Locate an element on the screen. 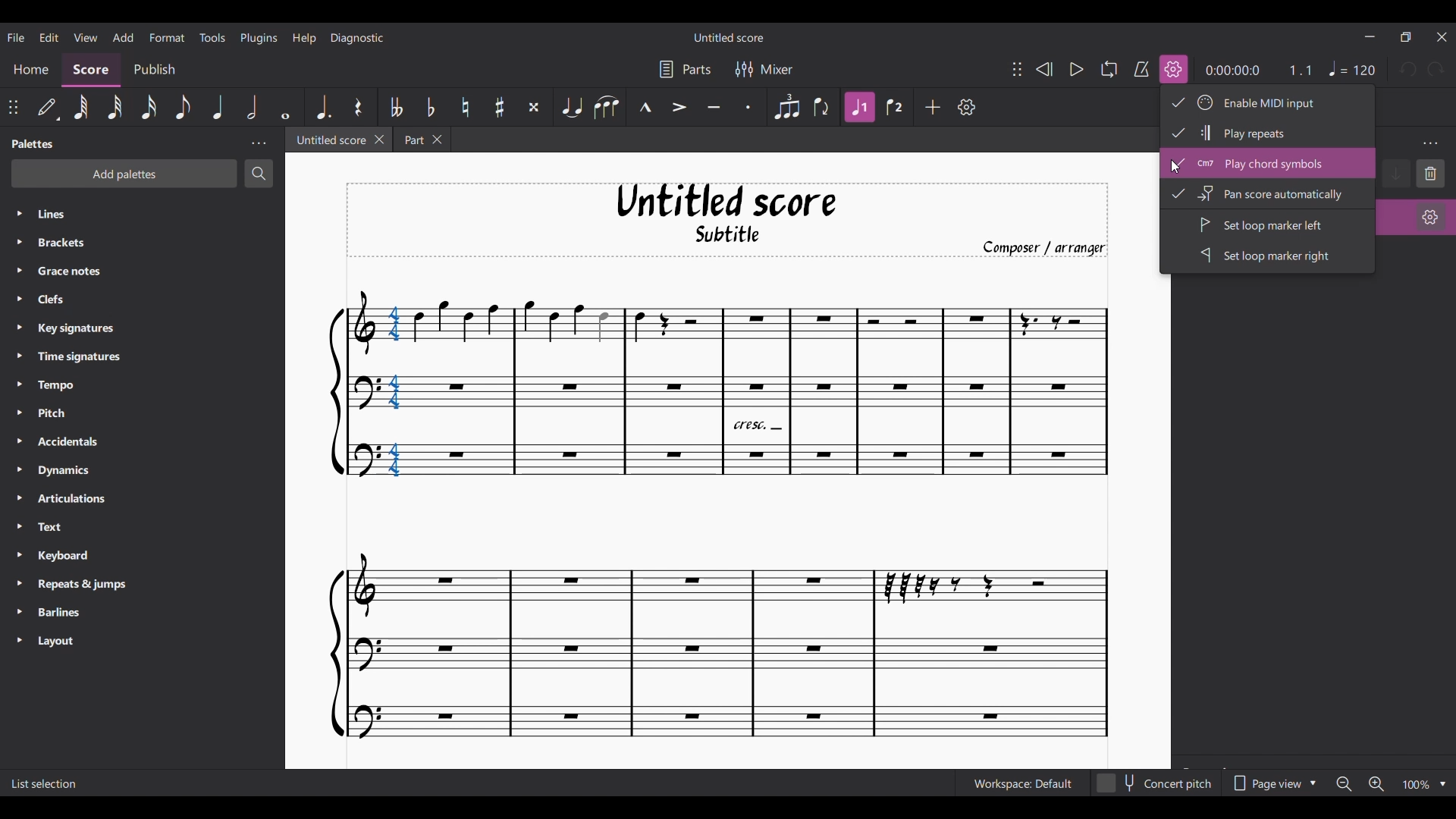 This screenshot has width=1456, height=819. Diagnostic menu is located at coordinates (357, 38).